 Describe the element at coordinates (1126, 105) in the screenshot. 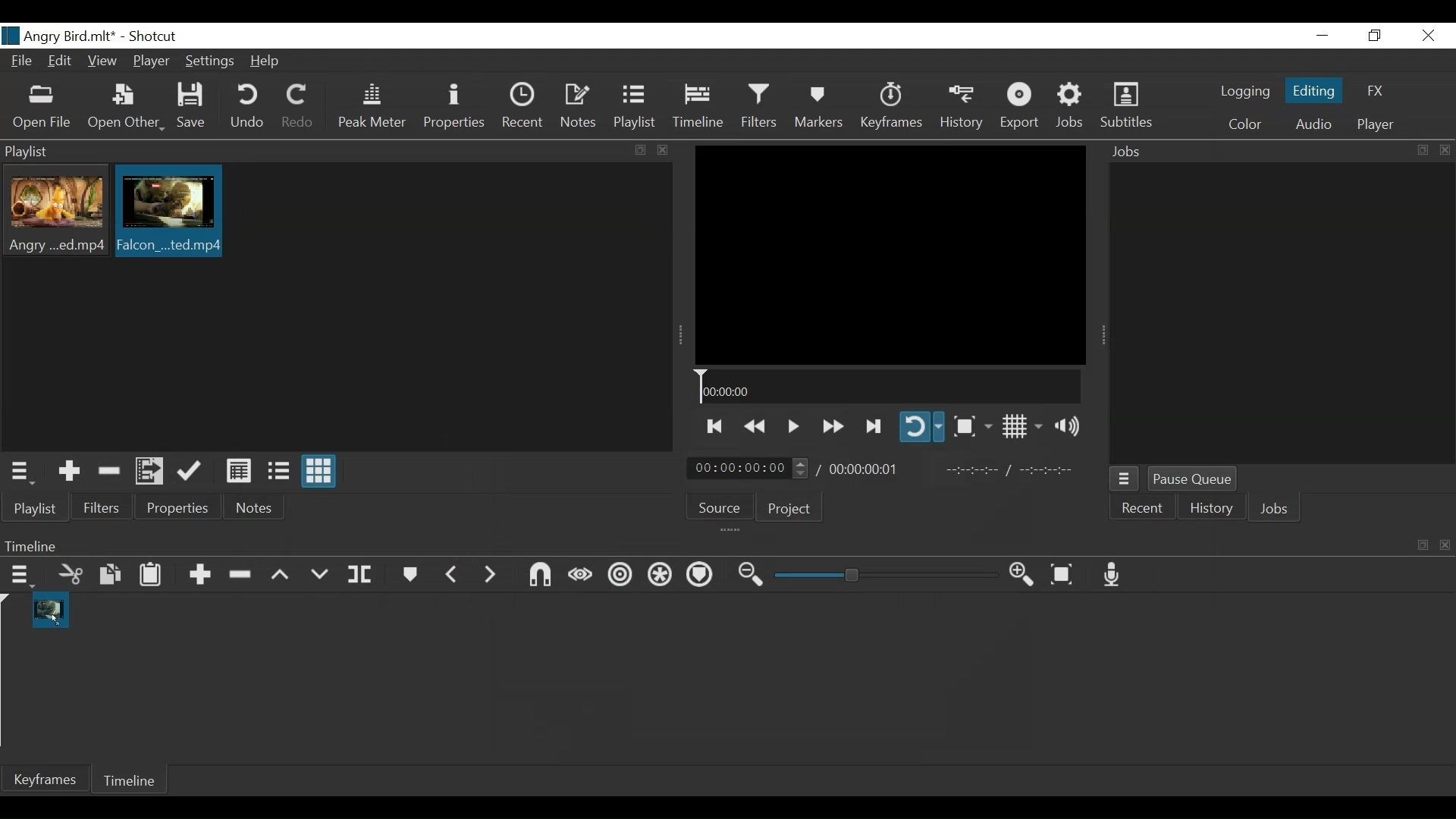

I see `Subtitles` at that location.